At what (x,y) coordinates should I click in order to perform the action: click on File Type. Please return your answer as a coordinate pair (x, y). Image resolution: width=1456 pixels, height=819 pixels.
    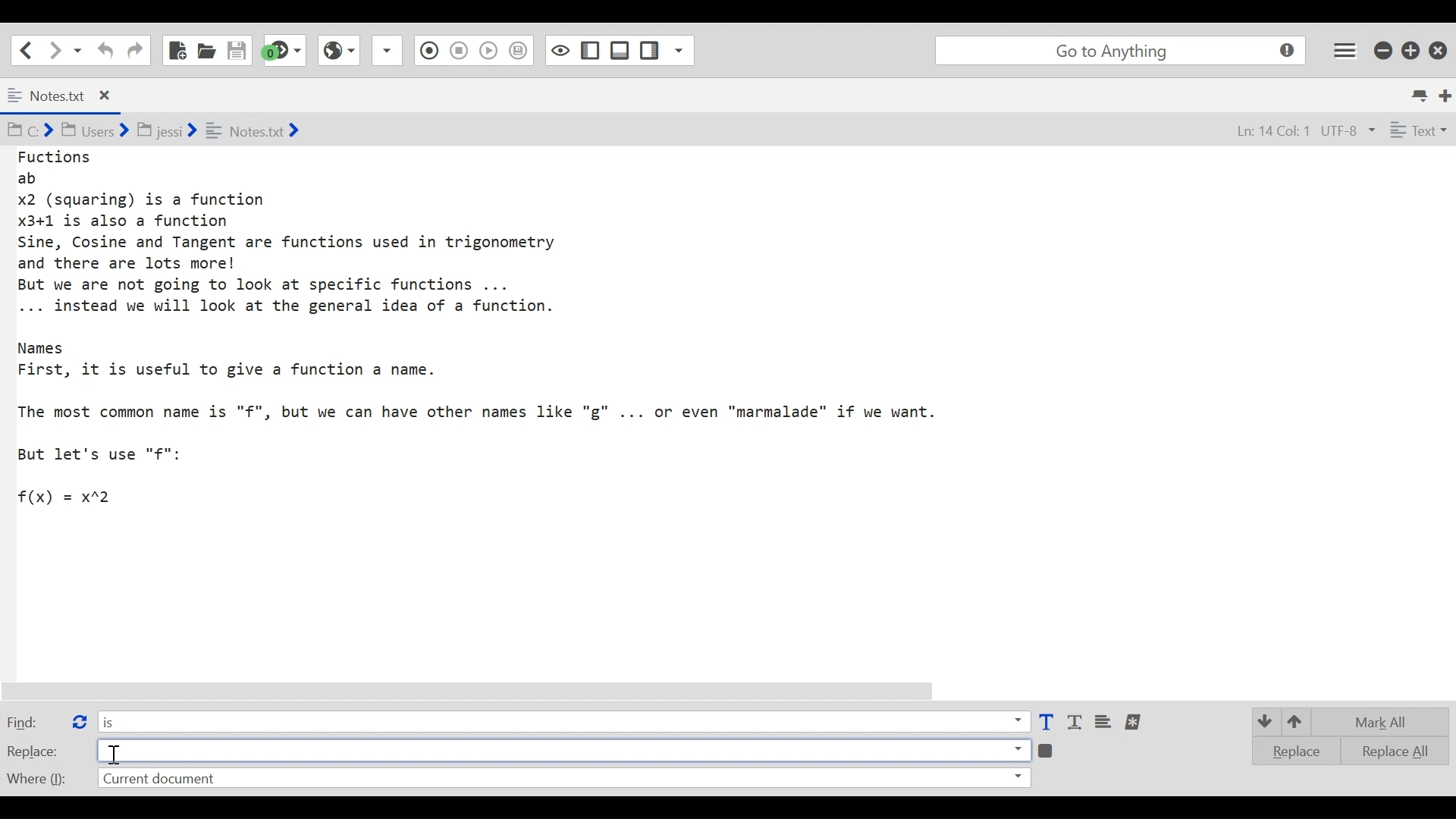
    Looking at the image, I should click on (1417, 133).